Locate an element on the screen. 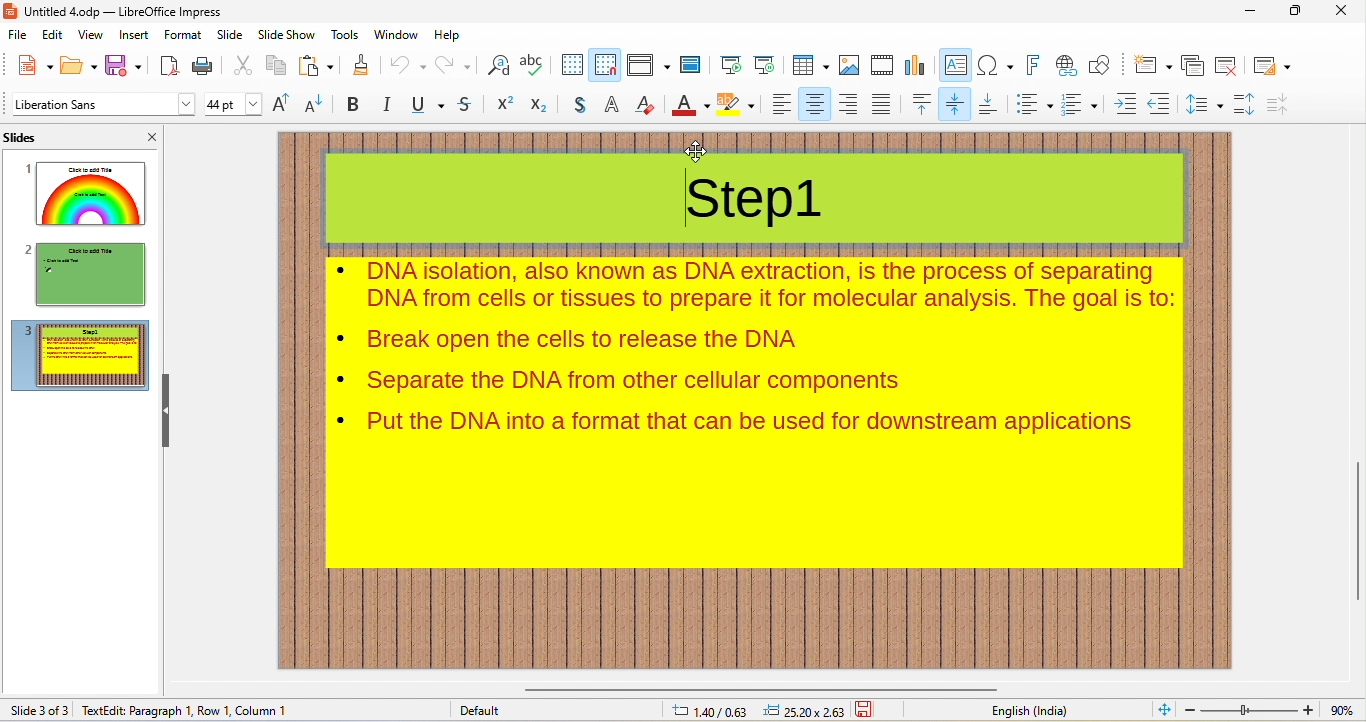  print is located at coordinates (205, 67).